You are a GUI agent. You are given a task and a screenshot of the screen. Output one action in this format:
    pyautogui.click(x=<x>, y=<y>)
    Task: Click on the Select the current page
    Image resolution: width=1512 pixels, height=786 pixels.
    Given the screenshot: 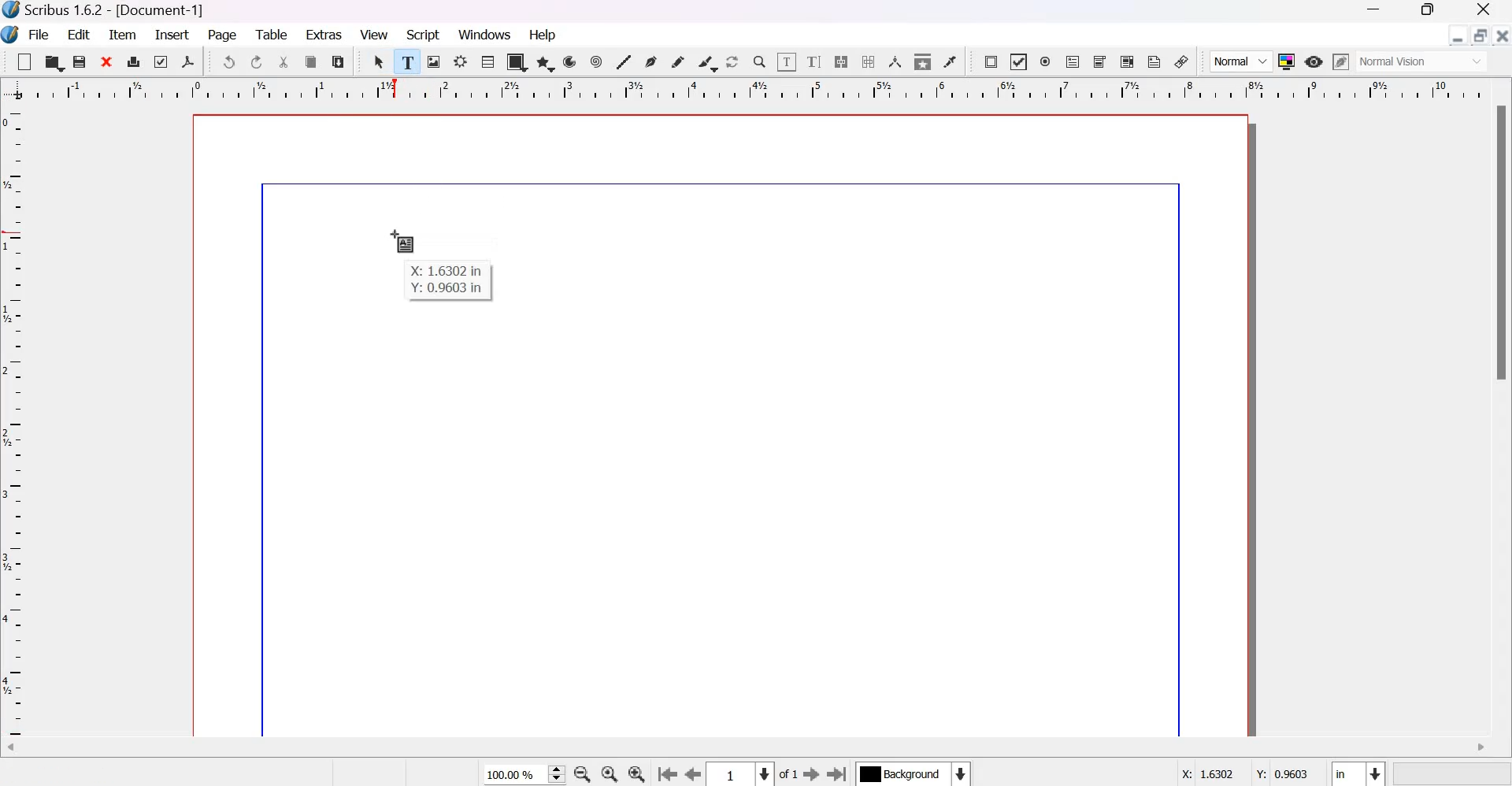 What is the action you would take?
    pyautogui.click(x=741, y=774)
    